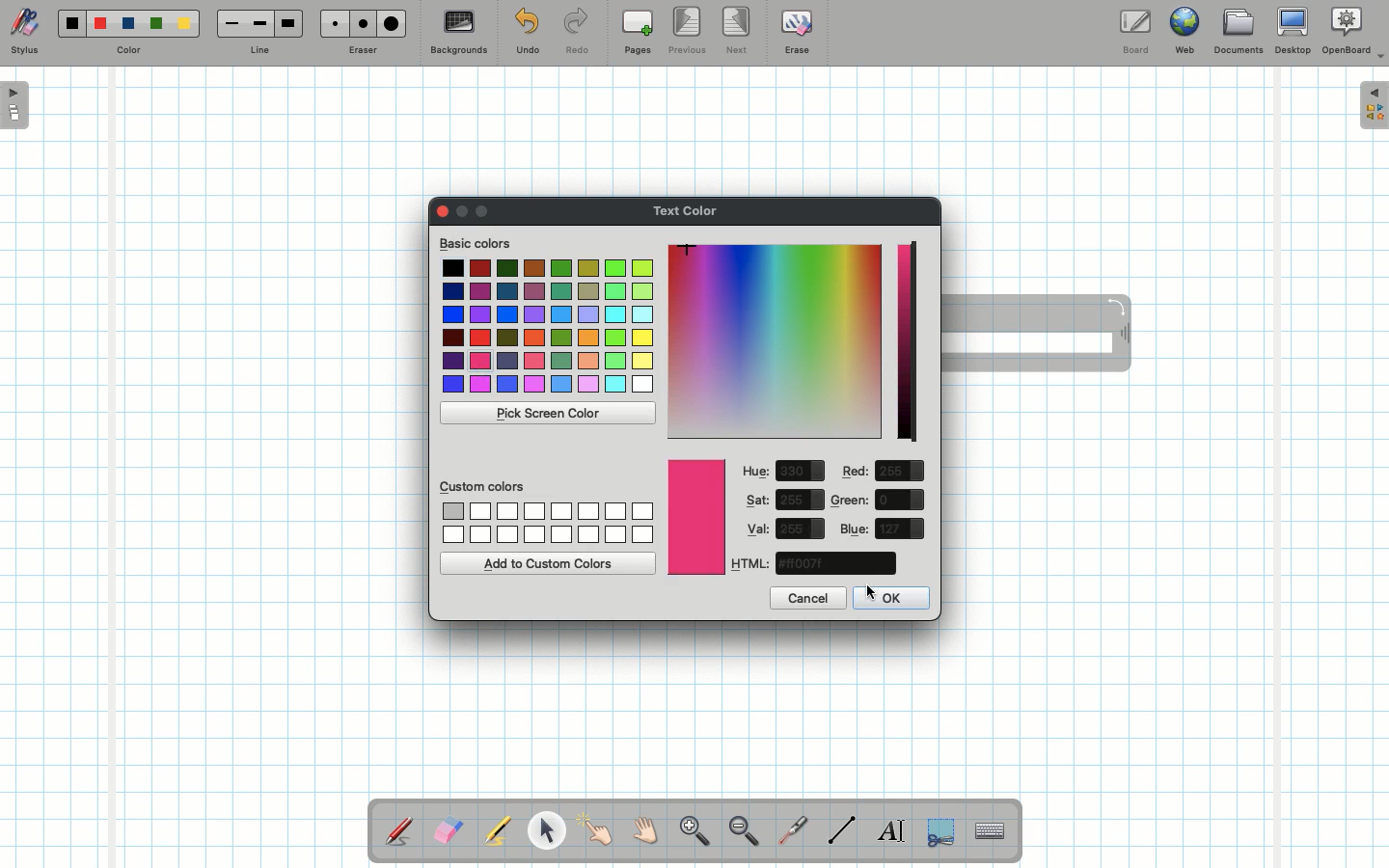 Image resolution: width=1389 pixels, height=868 pixels. Describe the element at coordinates (259, 23) in the screenshot. I see `Medium line` at that location.